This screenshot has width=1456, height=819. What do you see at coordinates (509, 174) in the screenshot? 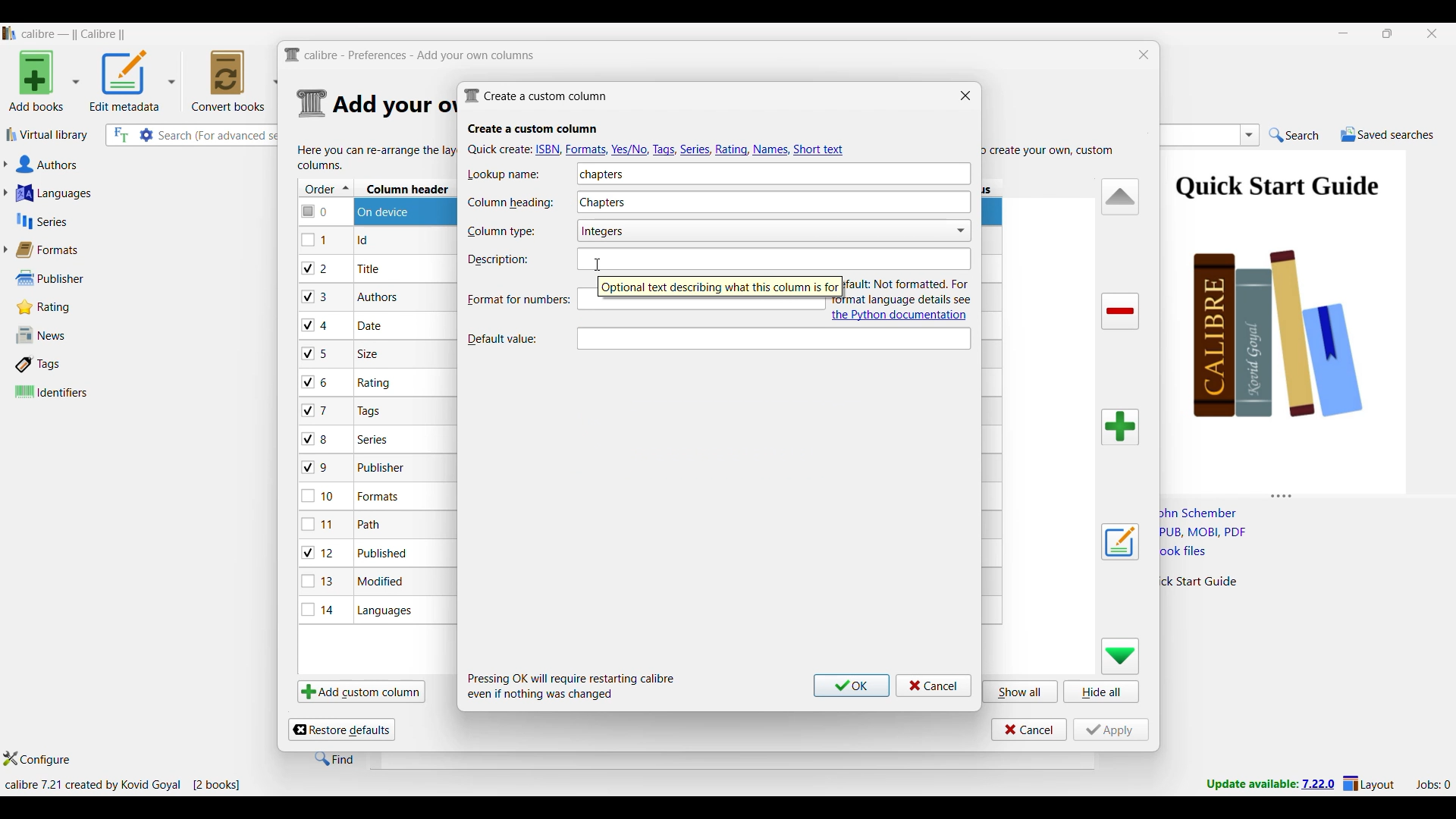
I see `Indicates Lookup name text box` at bounding box center [509, 174].